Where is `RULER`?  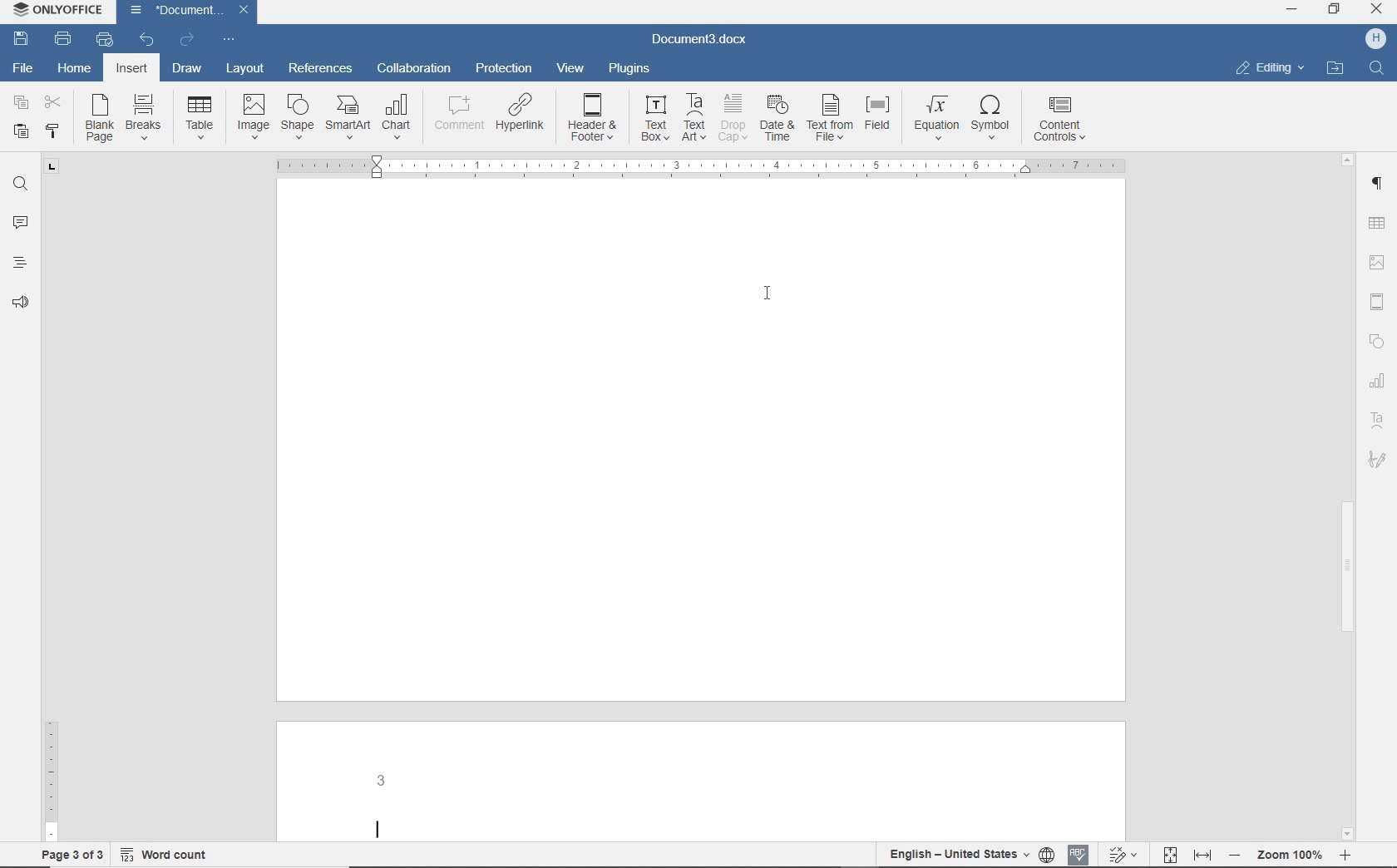 RULER is located at coordinates (51, 747).